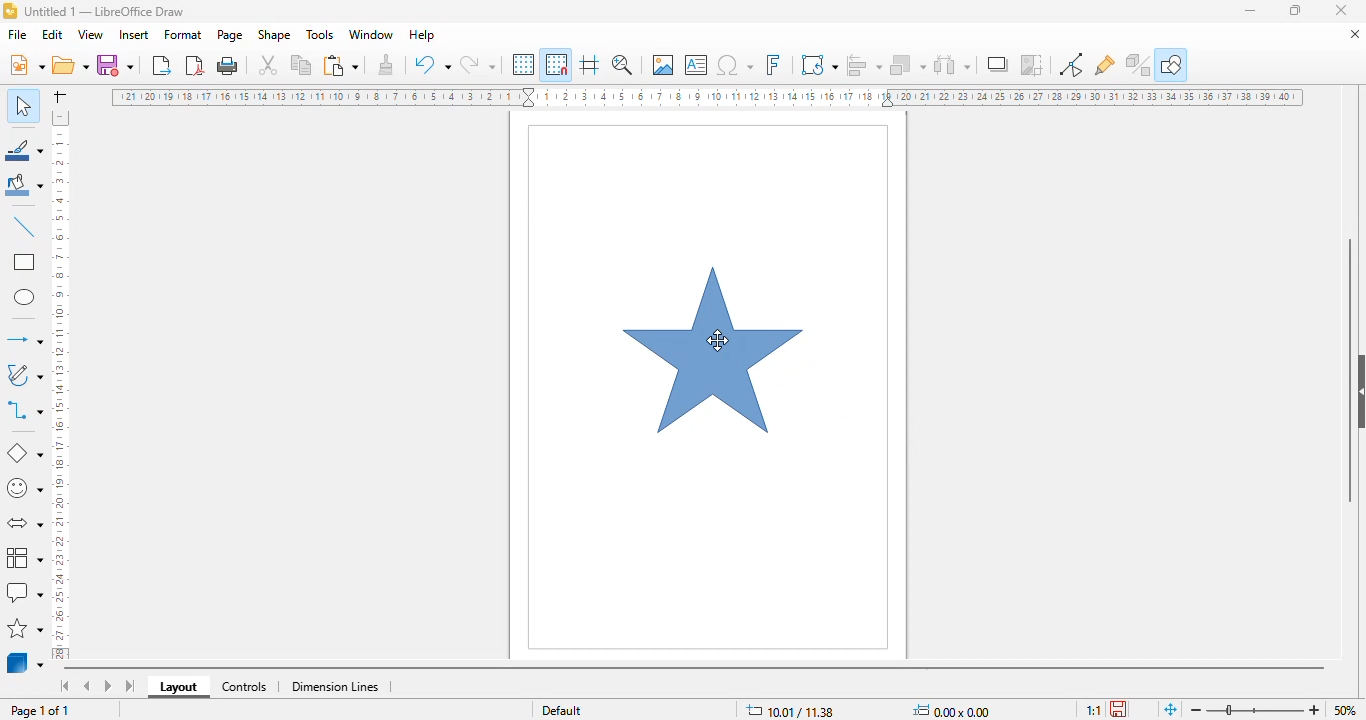 The height and width of the screenshot is (720, 1366). I want to click on zoom factor, so click(1344, 708).